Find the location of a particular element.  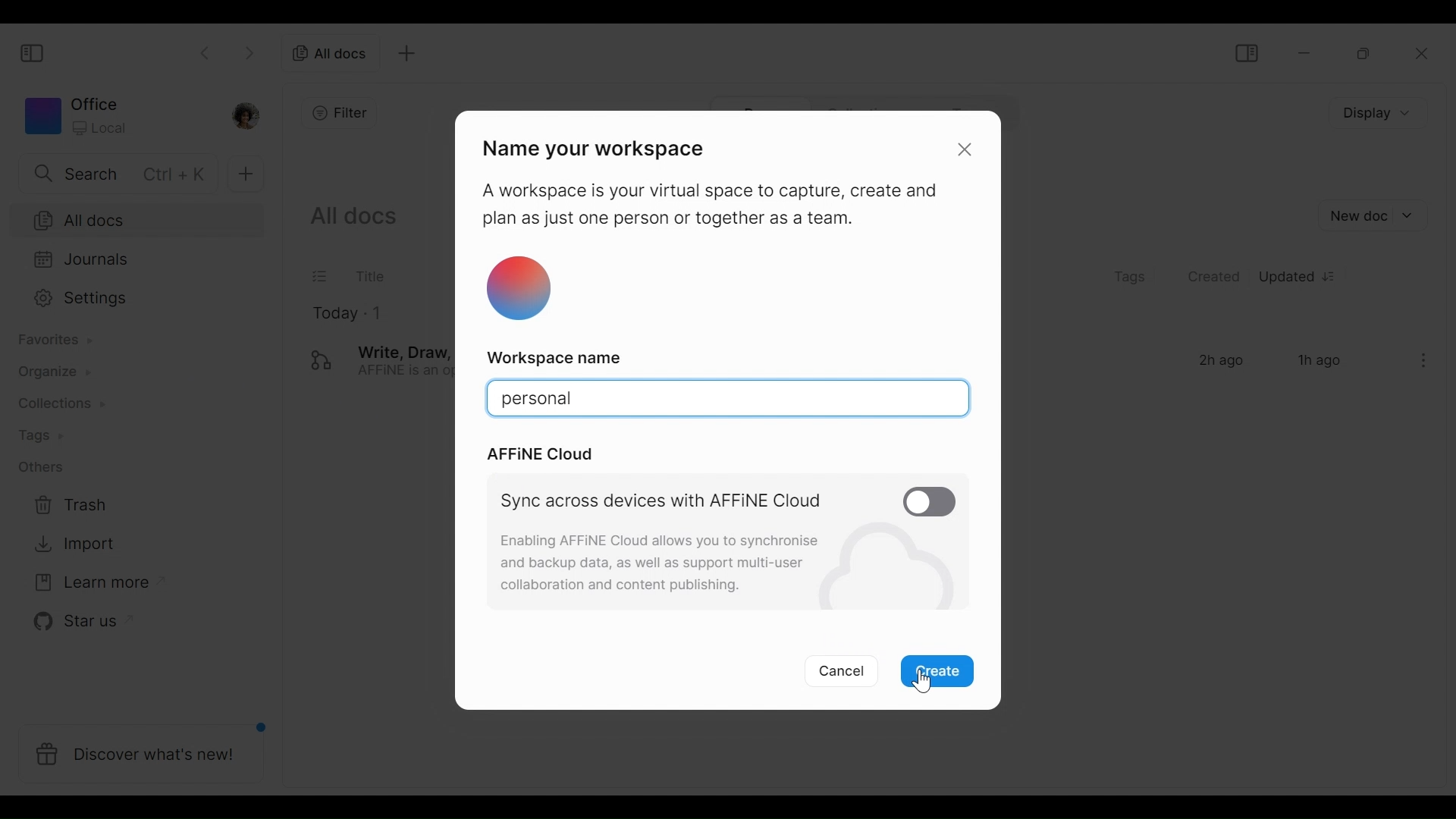

canvas is located at coordinates (728, 399).